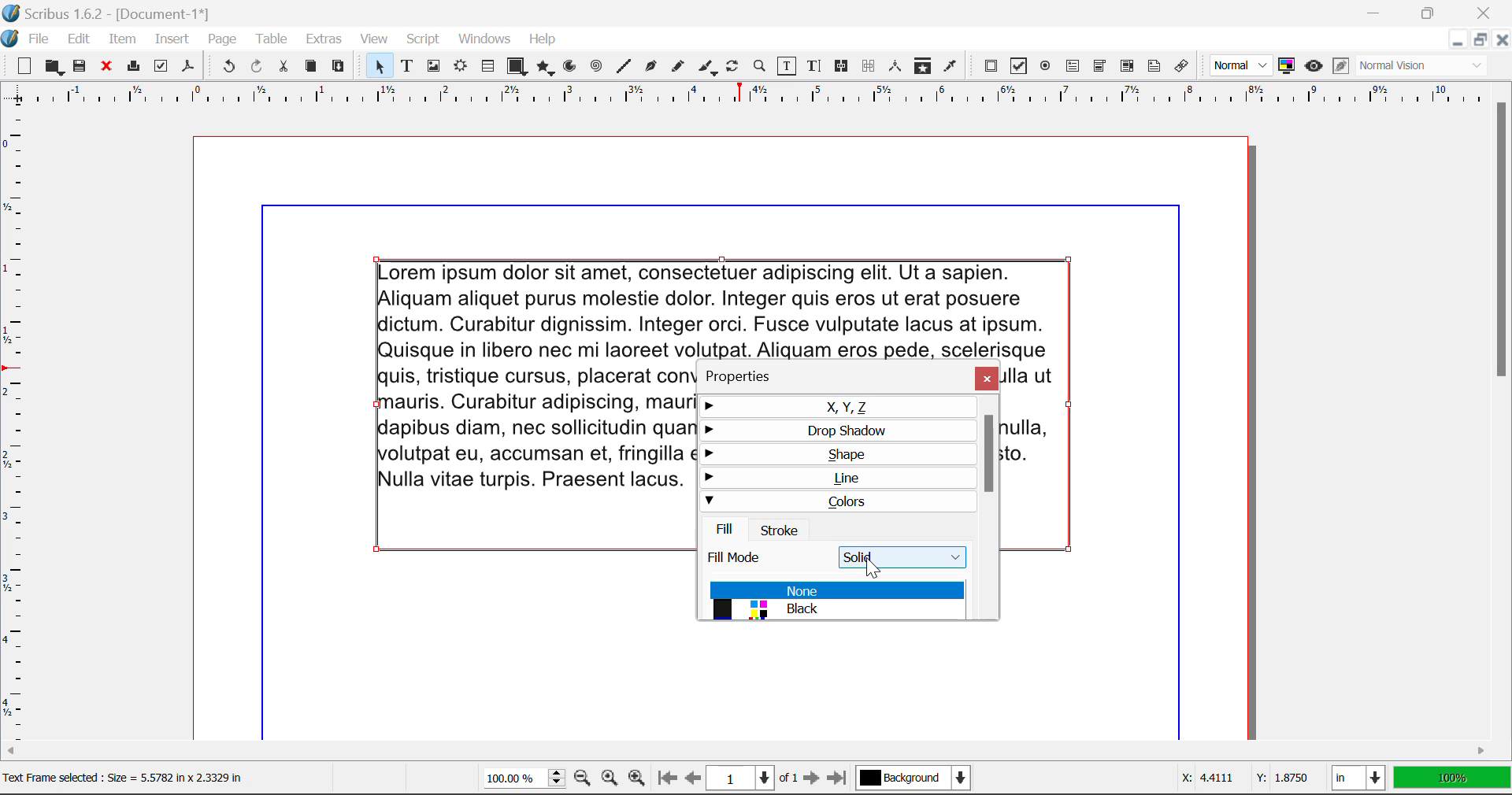  Describe the element at coordinates (1045, 68) in the screenshot. I see `PDF Radio Button` at that location.